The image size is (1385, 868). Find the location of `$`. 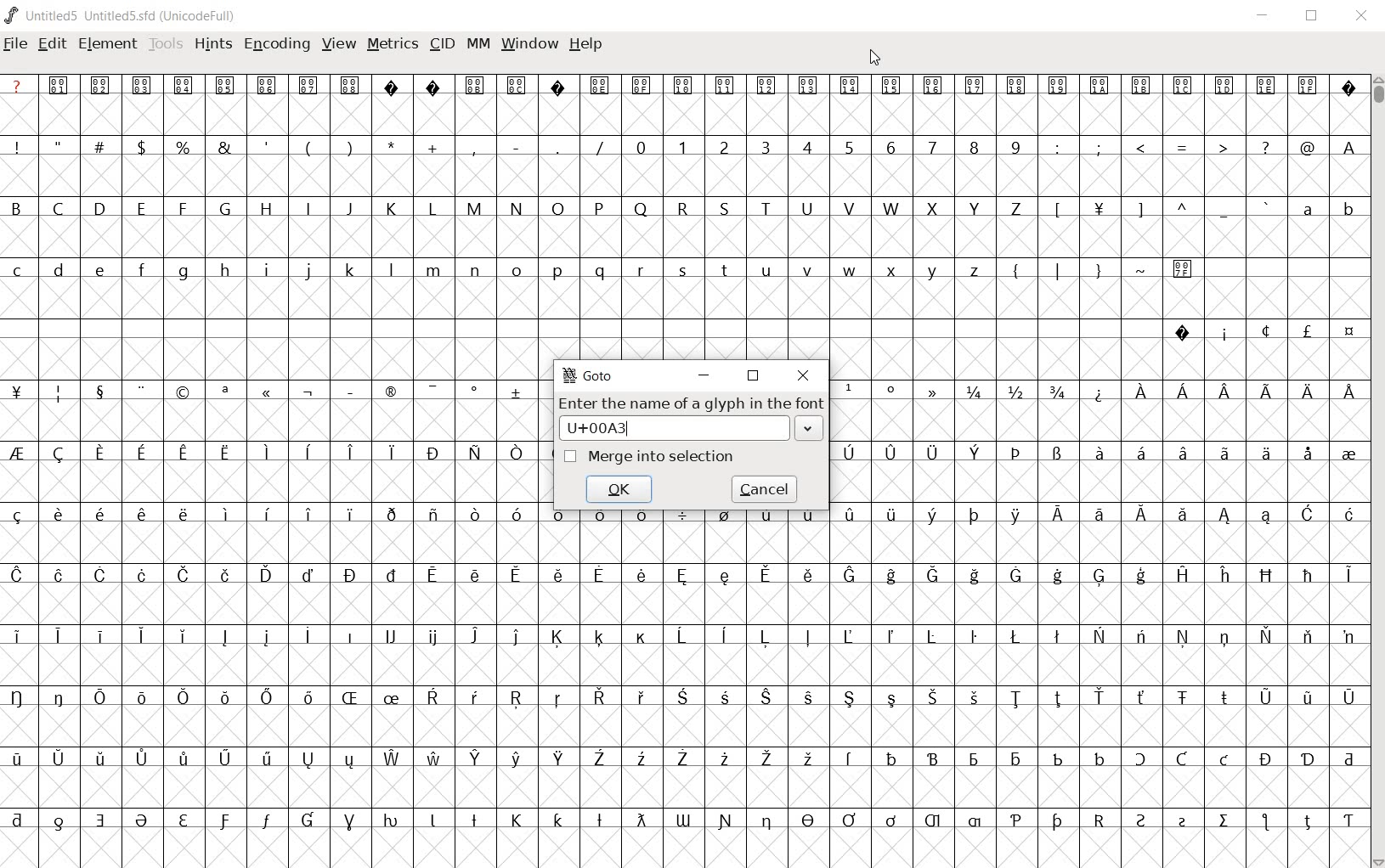

$ is located at coordinates (144, 147).